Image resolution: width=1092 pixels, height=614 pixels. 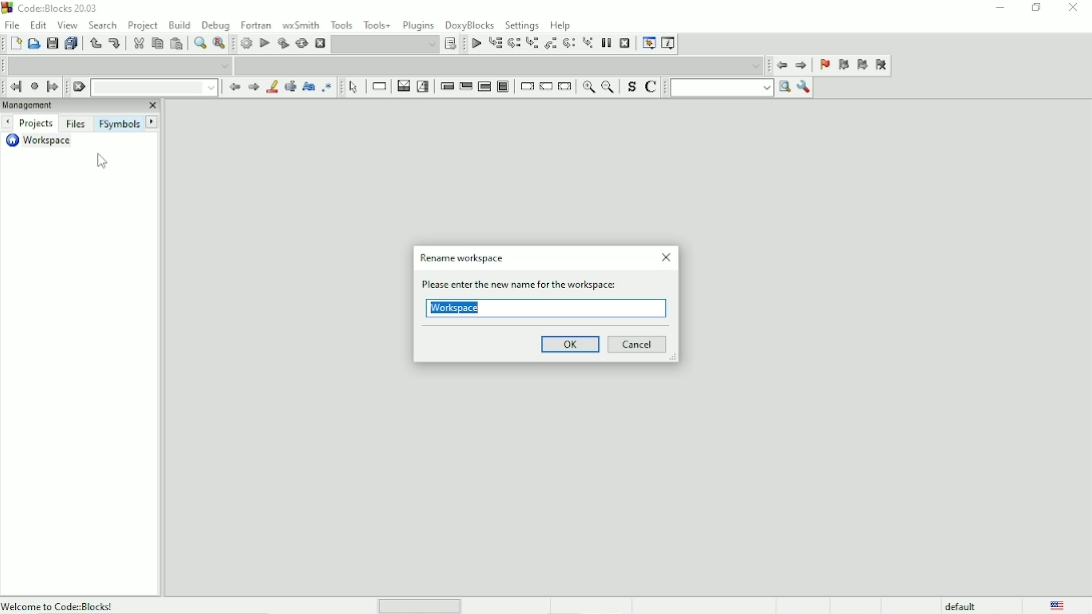 What do you see at coordinates (253, 87) in the screenshot?
I see `Next` at bounding box center [253, 87].